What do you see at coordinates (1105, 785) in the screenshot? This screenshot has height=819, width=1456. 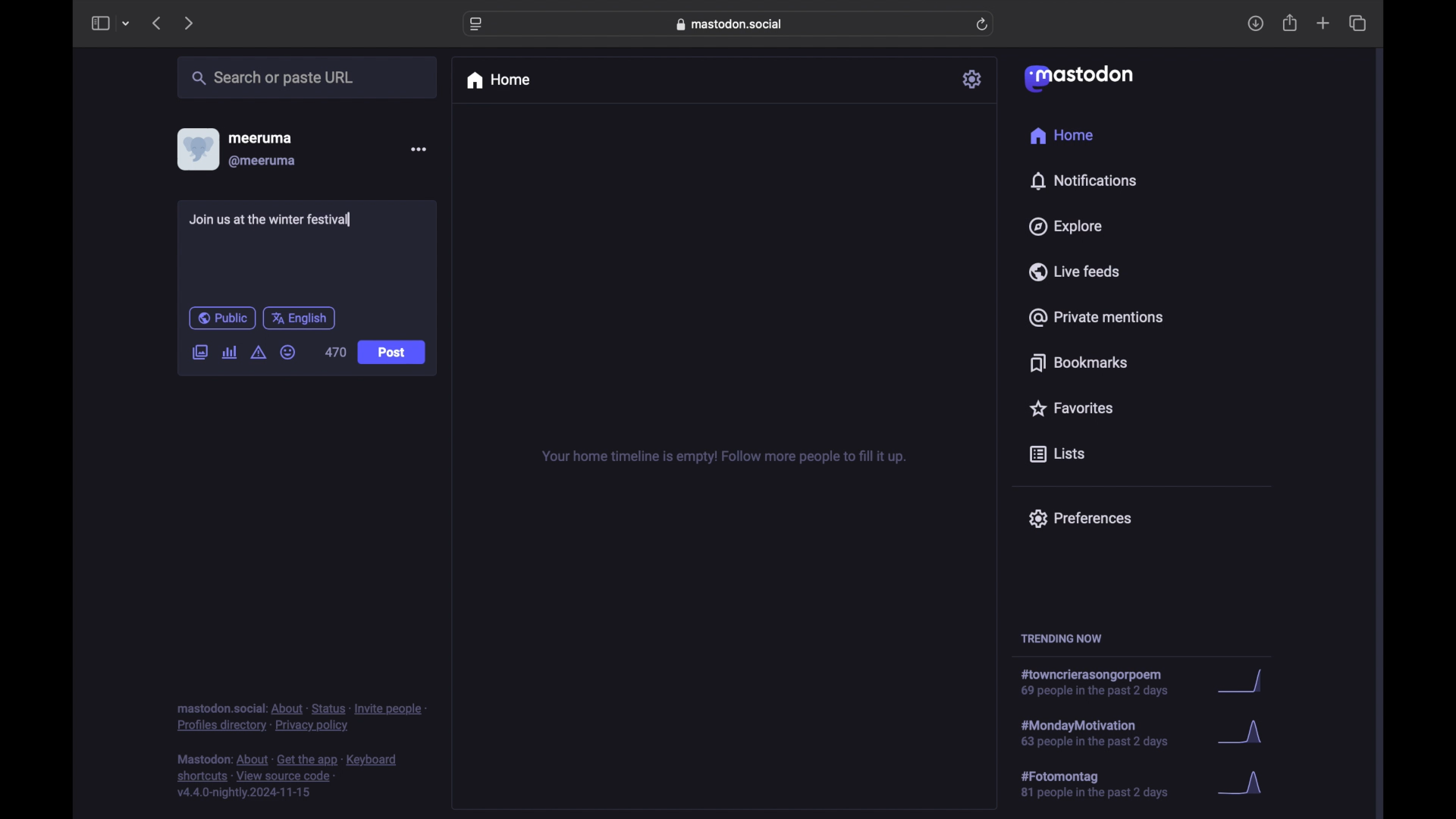 I see `hashtag trend` at bounding box center [1105, 785].